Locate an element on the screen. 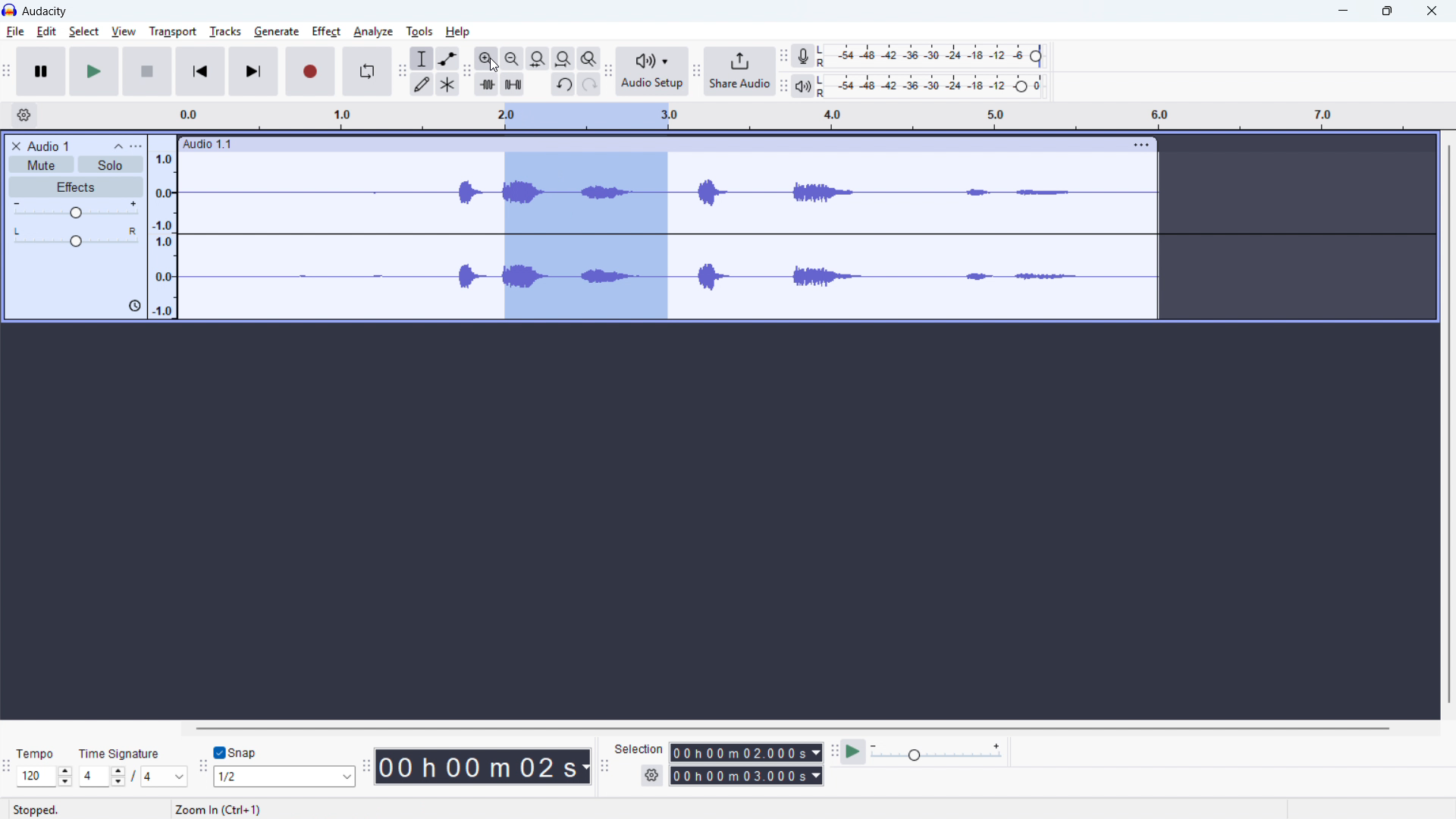 The width and height of the screenshot is (1456, 819). Transport toolbar is located at coordinates (8, 72).